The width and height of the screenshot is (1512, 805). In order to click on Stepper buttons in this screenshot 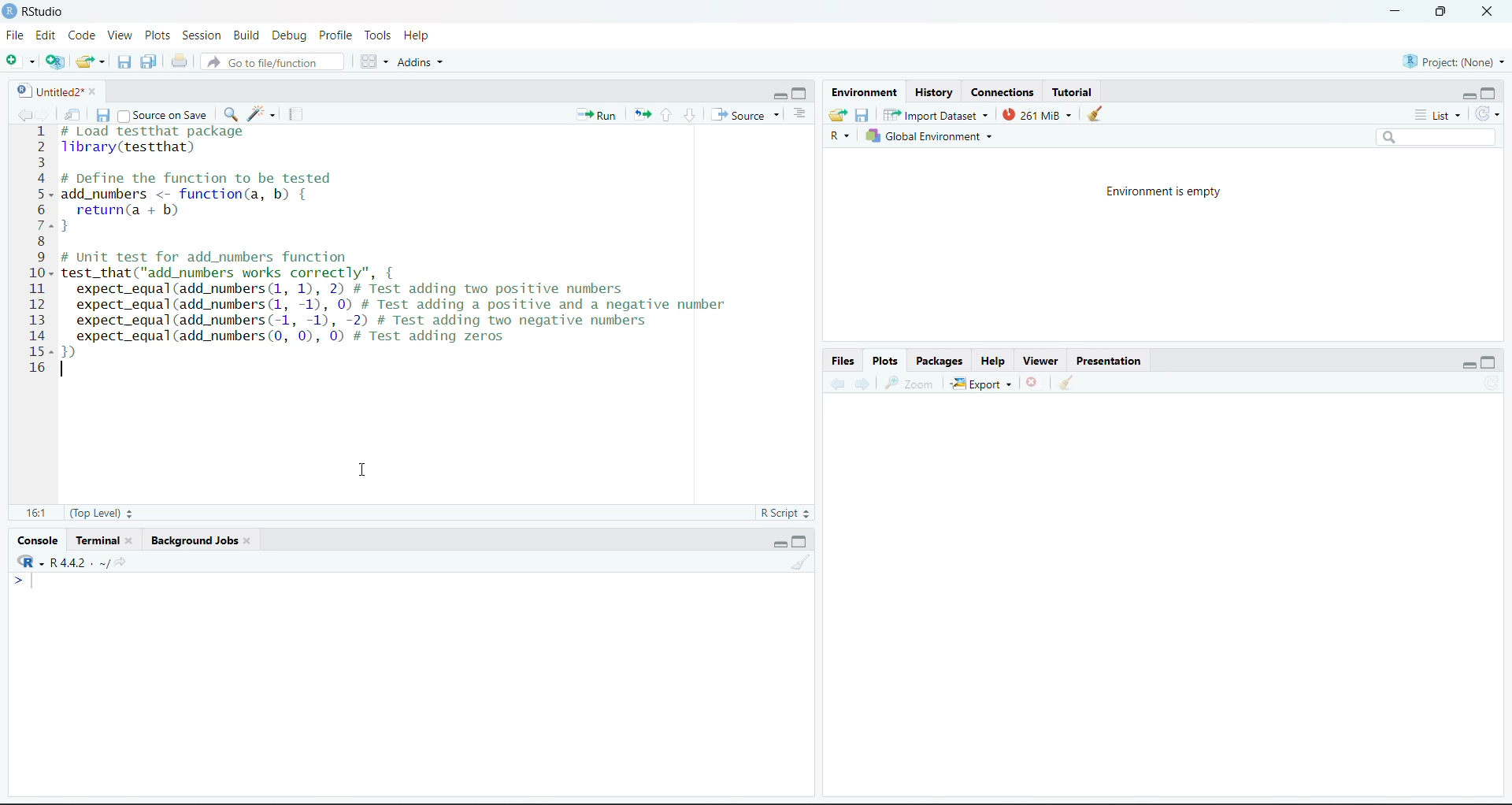, I will do `click(133, 513)`.